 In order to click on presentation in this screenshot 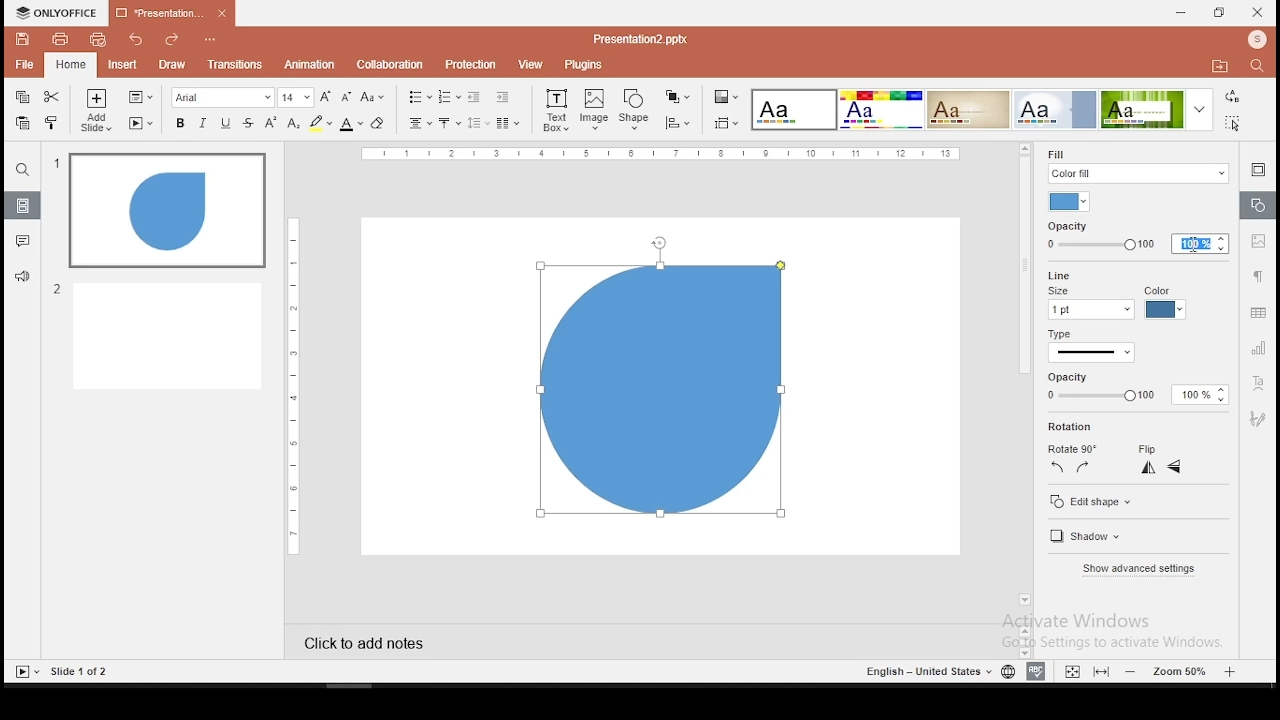, I will do `click(170, 14)`.